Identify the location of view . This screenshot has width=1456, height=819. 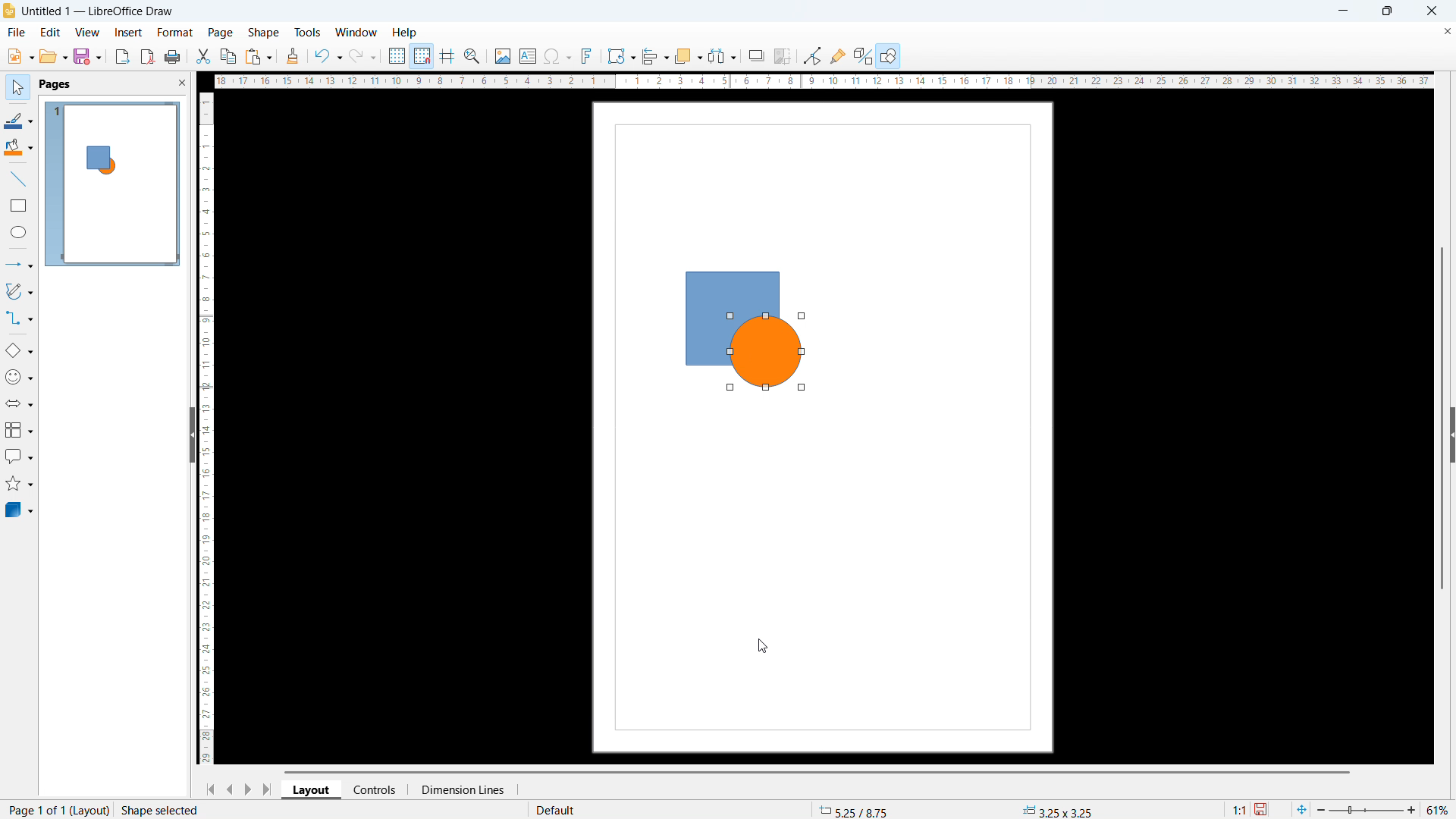
(87, 32).